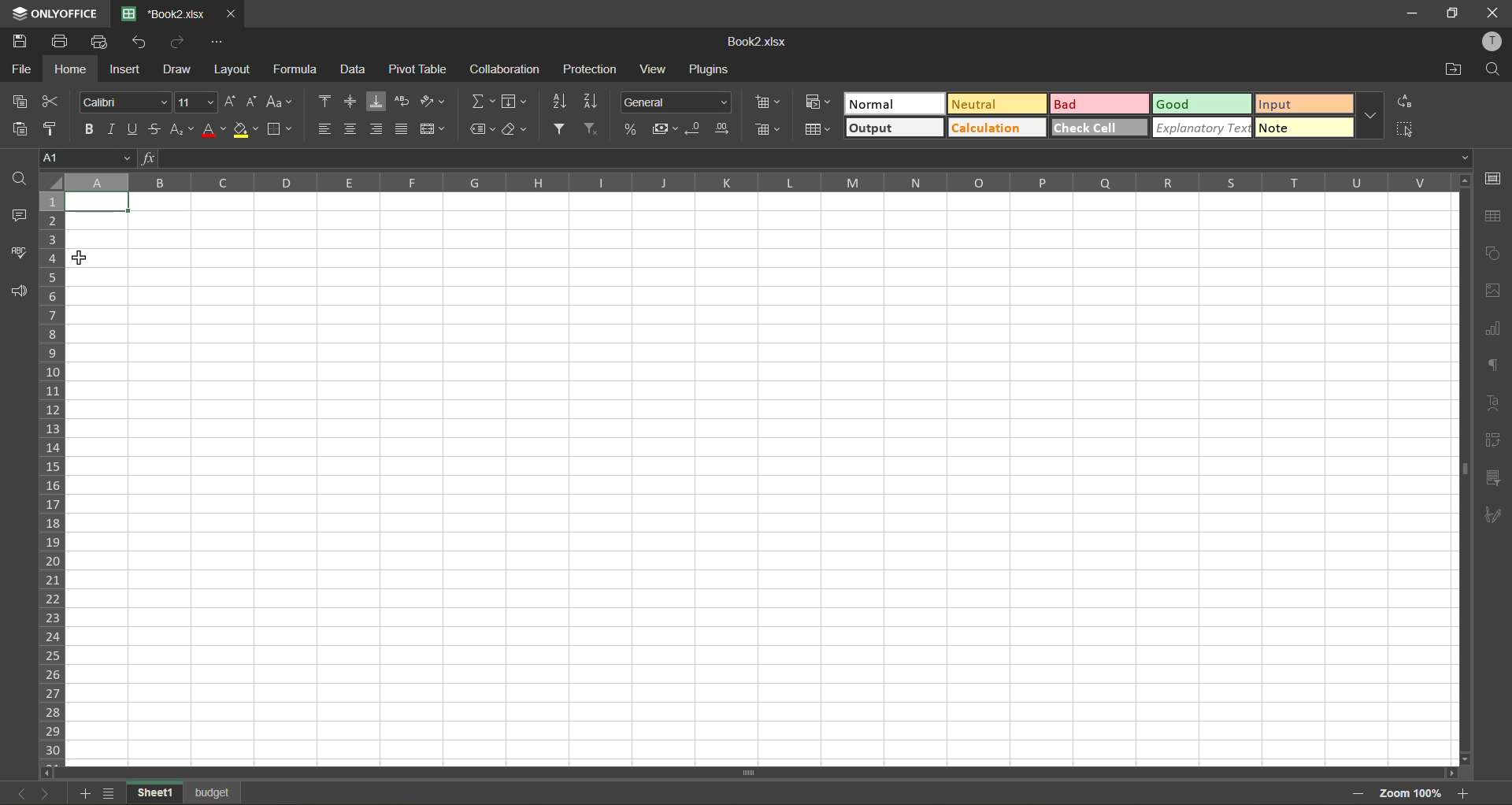 Image resolution: width=1512 pixels, height=805 pixels. Describe the element at coordinates (18, 216) in the screenshot. I see `comments` at that location.